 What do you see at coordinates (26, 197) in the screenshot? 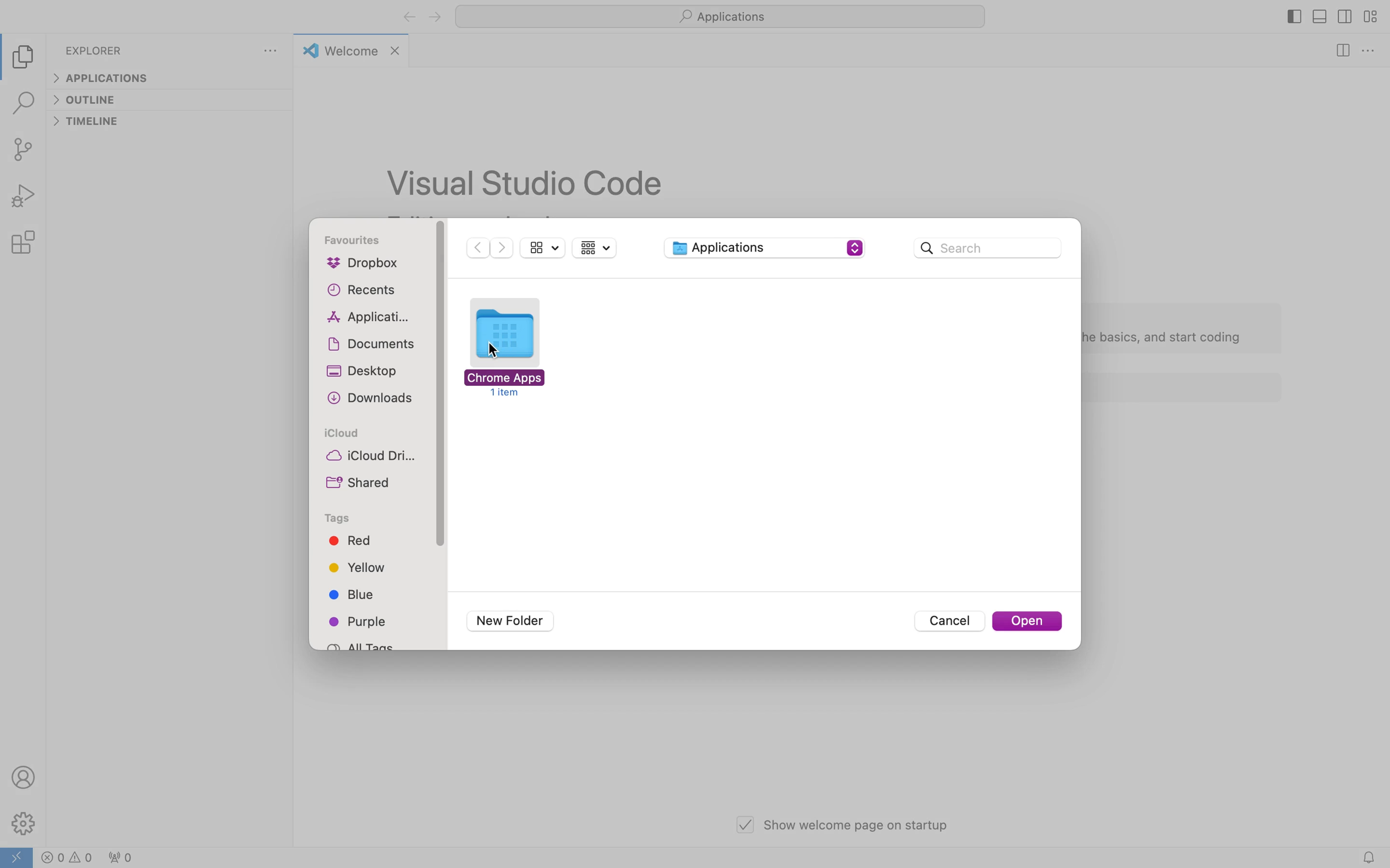
I see `run and debug` at bounding box center [26, 197].